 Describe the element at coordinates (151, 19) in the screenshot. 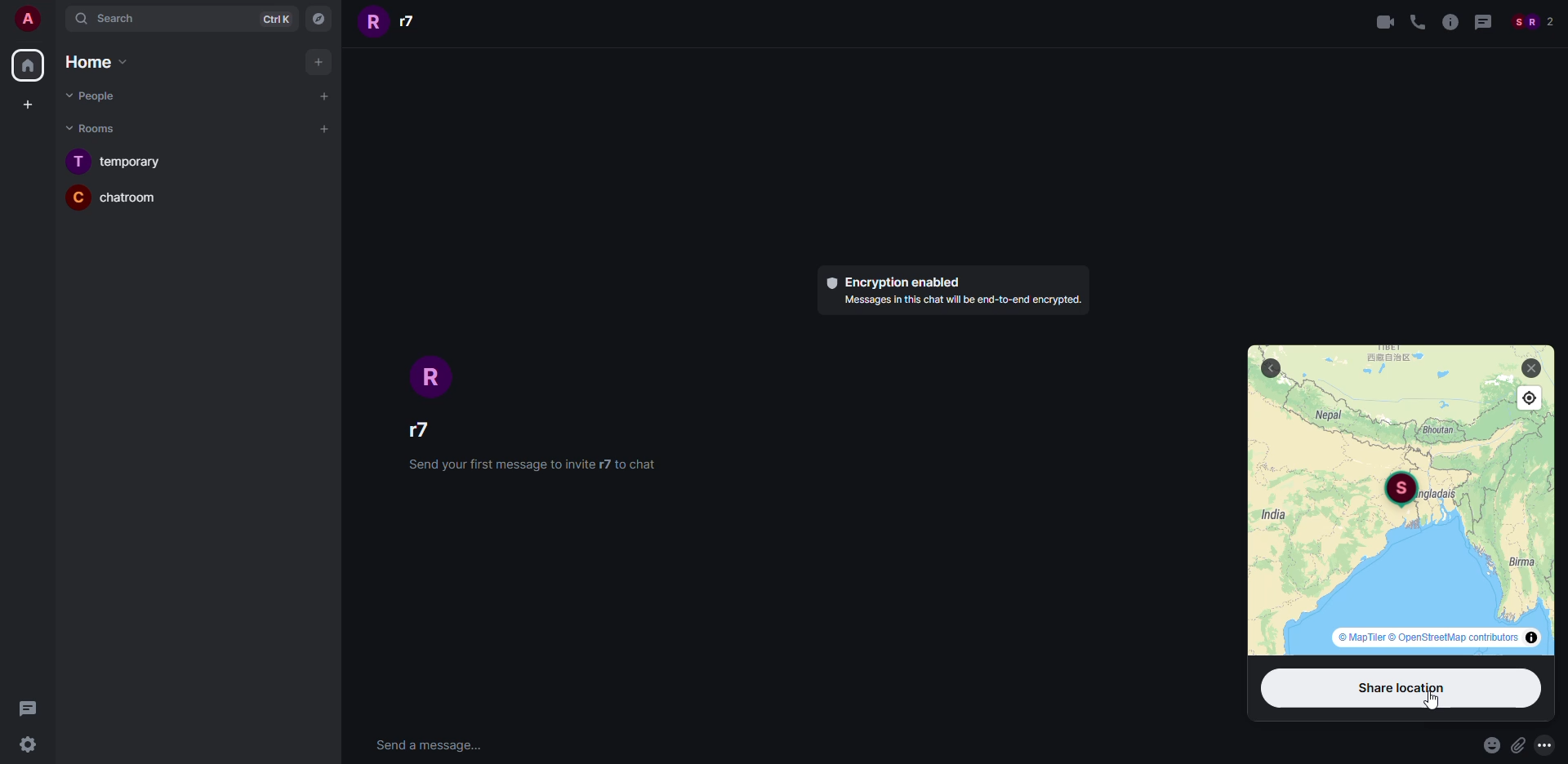

I see `Search` at that location.